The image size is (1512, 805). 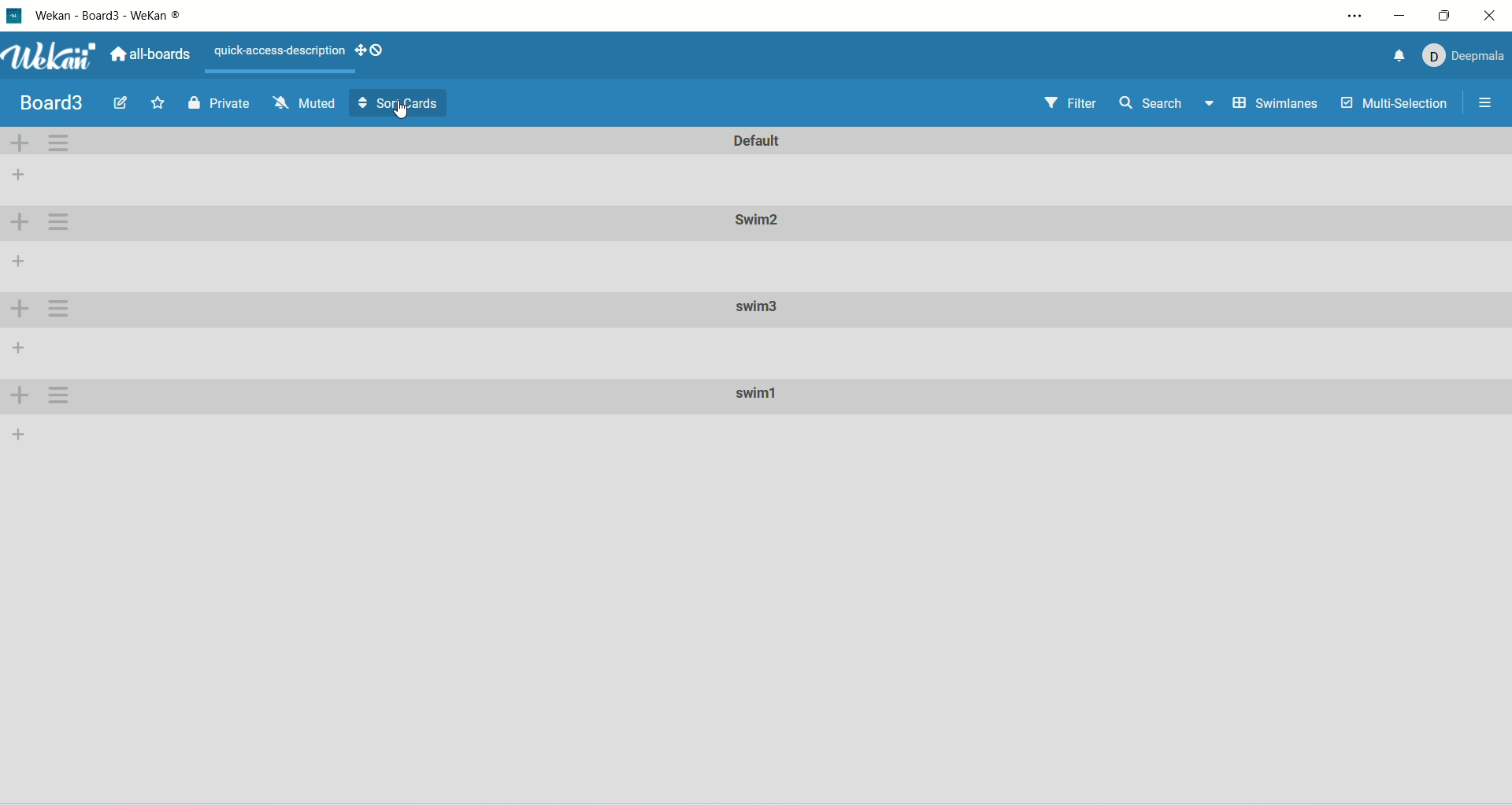 I want to click on add swimlane, so click(x=18, y=143).